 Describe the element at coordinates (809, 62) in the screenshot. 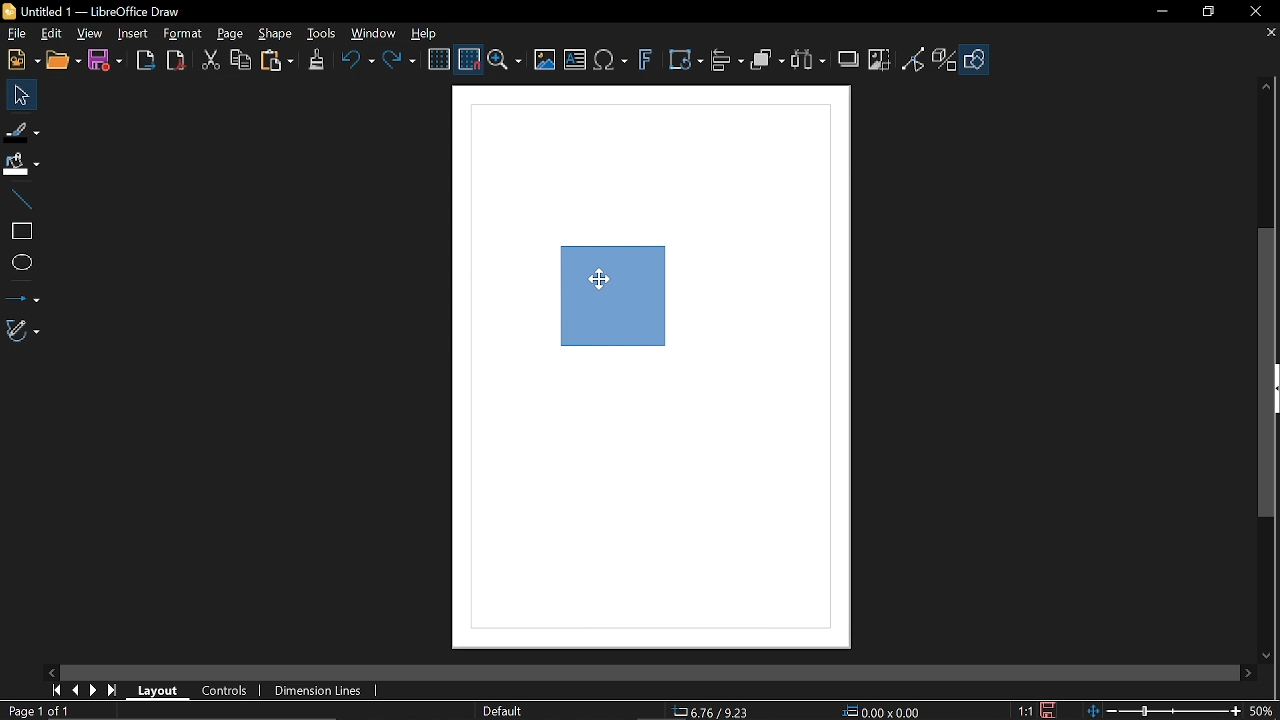

I see `Select at least three object to distribute` at that location.